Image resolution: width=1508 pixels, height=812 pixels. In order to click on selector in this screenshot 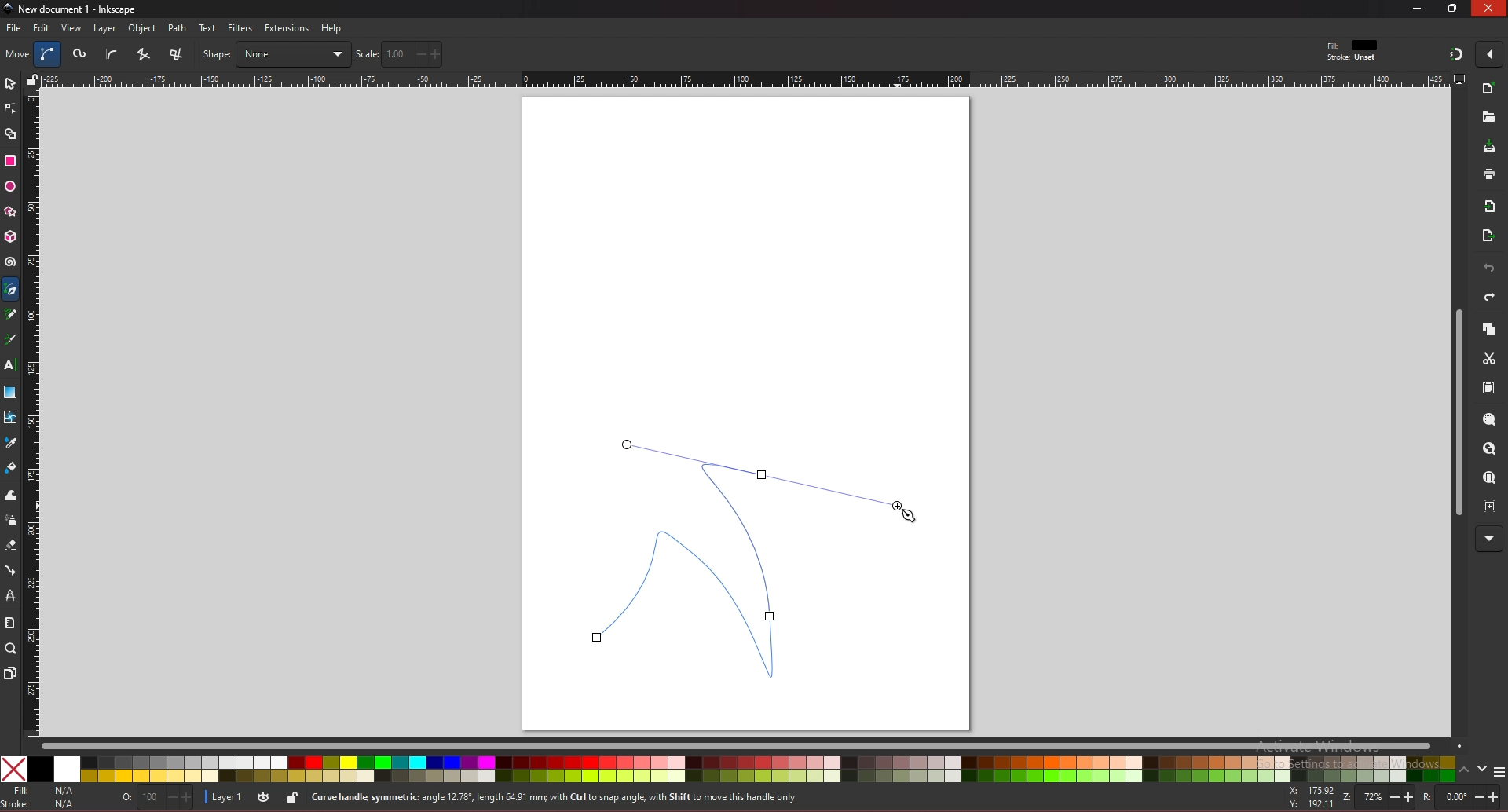, I will do `click(10, 83)`.